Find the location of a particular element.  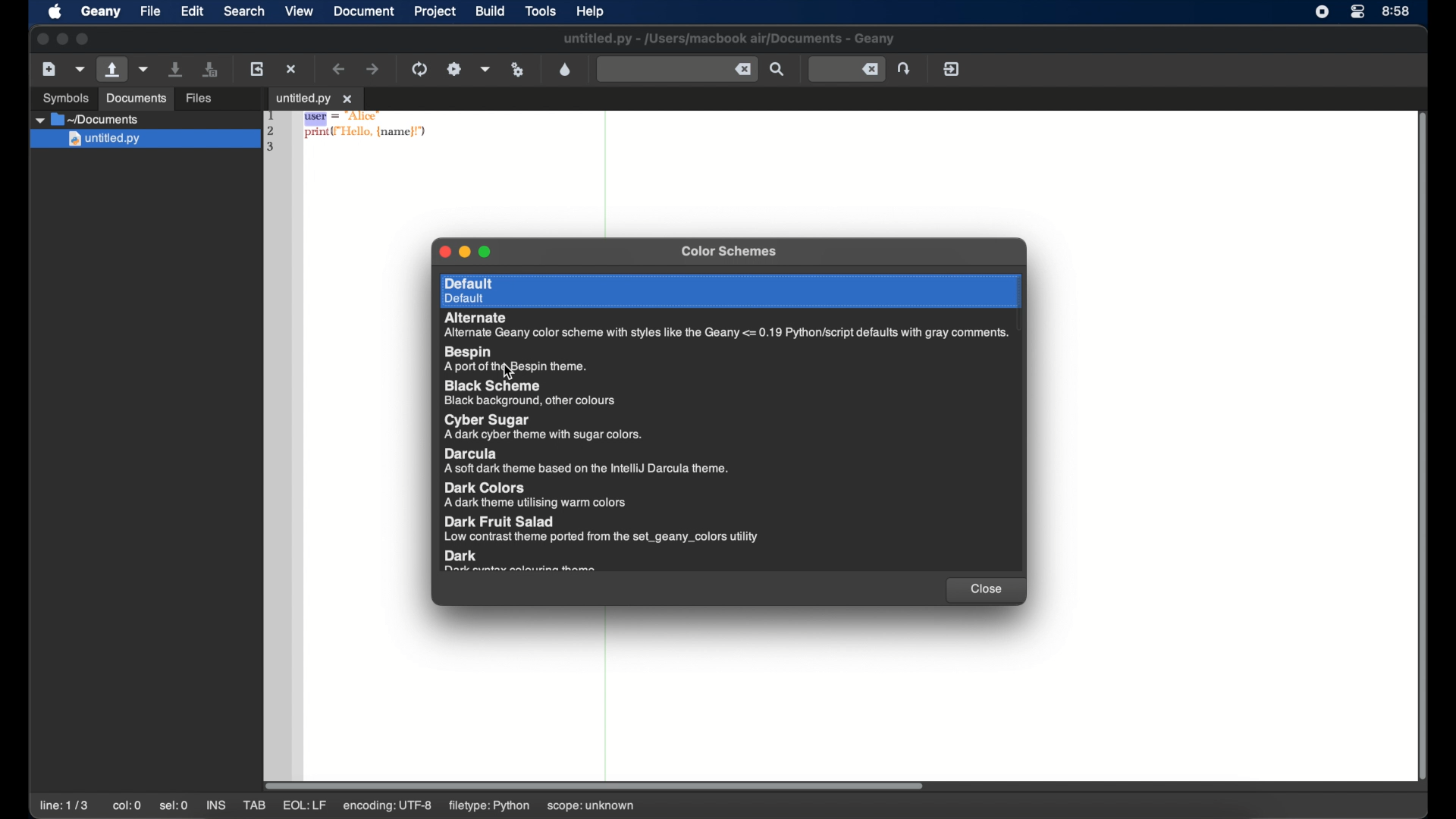

navigate back a location is located at coordinates (340, 68).